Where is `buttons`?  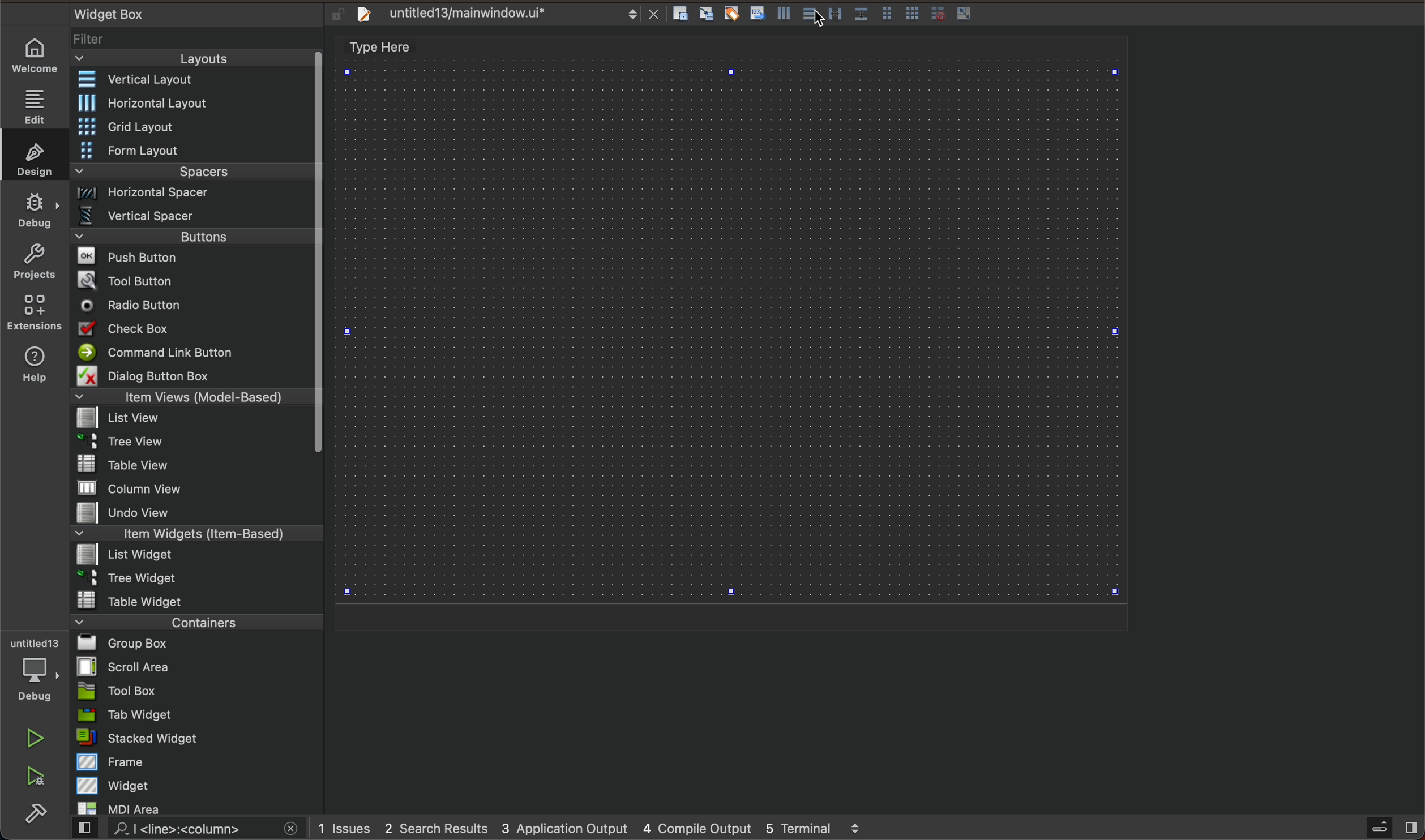
buttons is located at coordinates (200, 235).